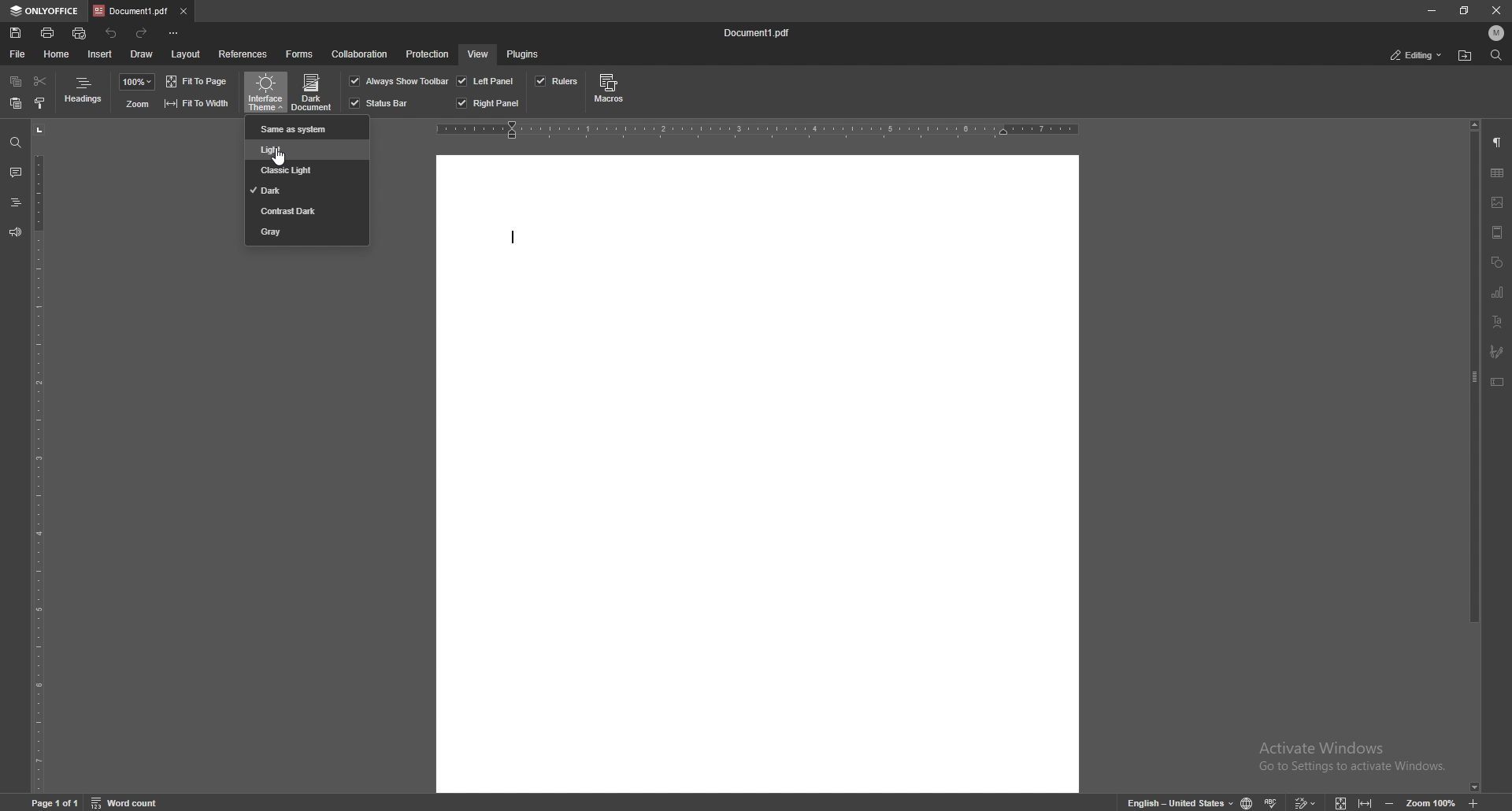 The width and height of the screenshot is (1512, 811). Describe the element at coordinates (1496, 350) in the screenshot. I see `signature` at that location.